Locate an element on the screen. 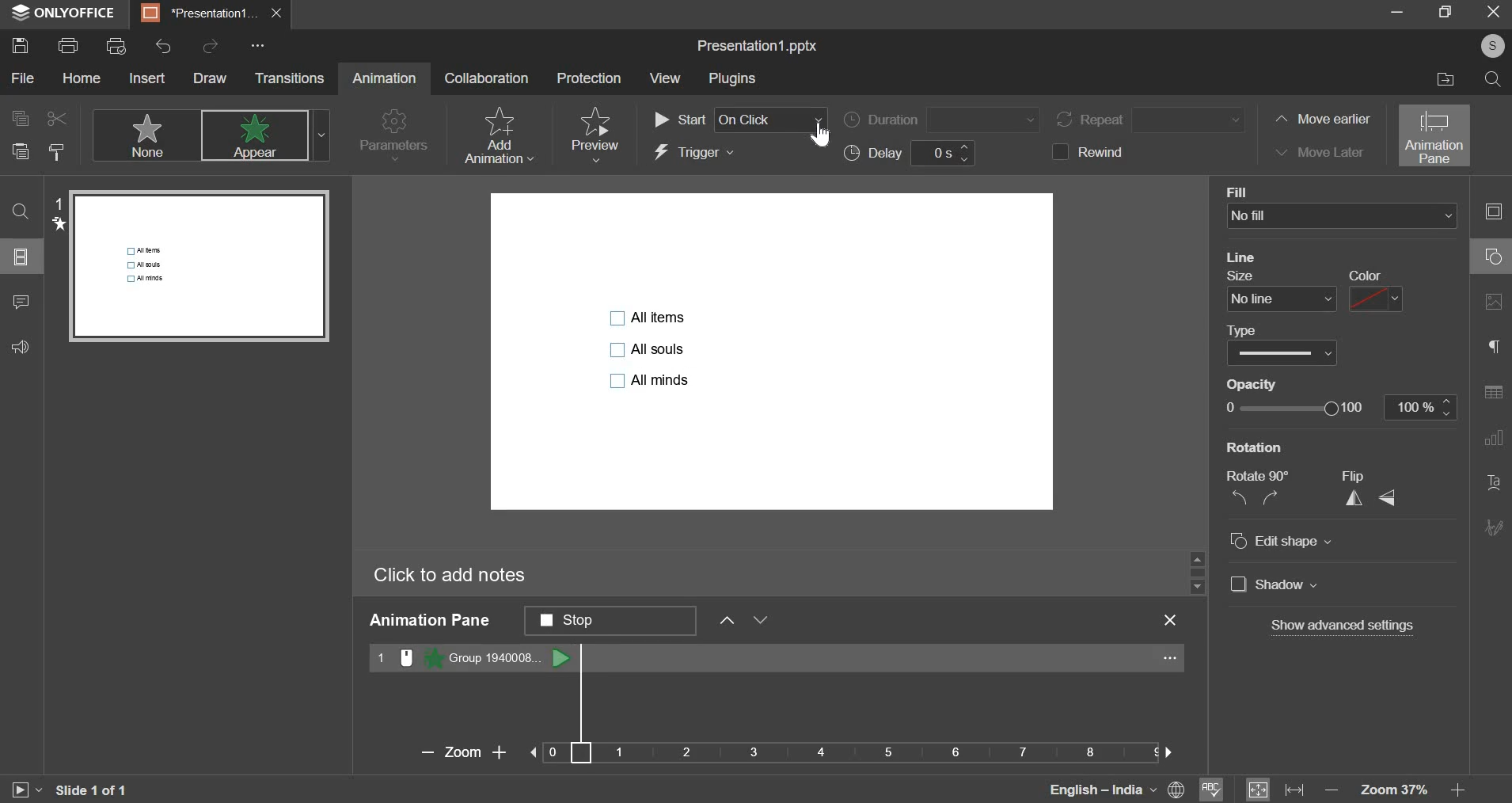 Image resolution: width=1512 pixels, height=803 pixels. rotate is located at coordinates (1256, 497).